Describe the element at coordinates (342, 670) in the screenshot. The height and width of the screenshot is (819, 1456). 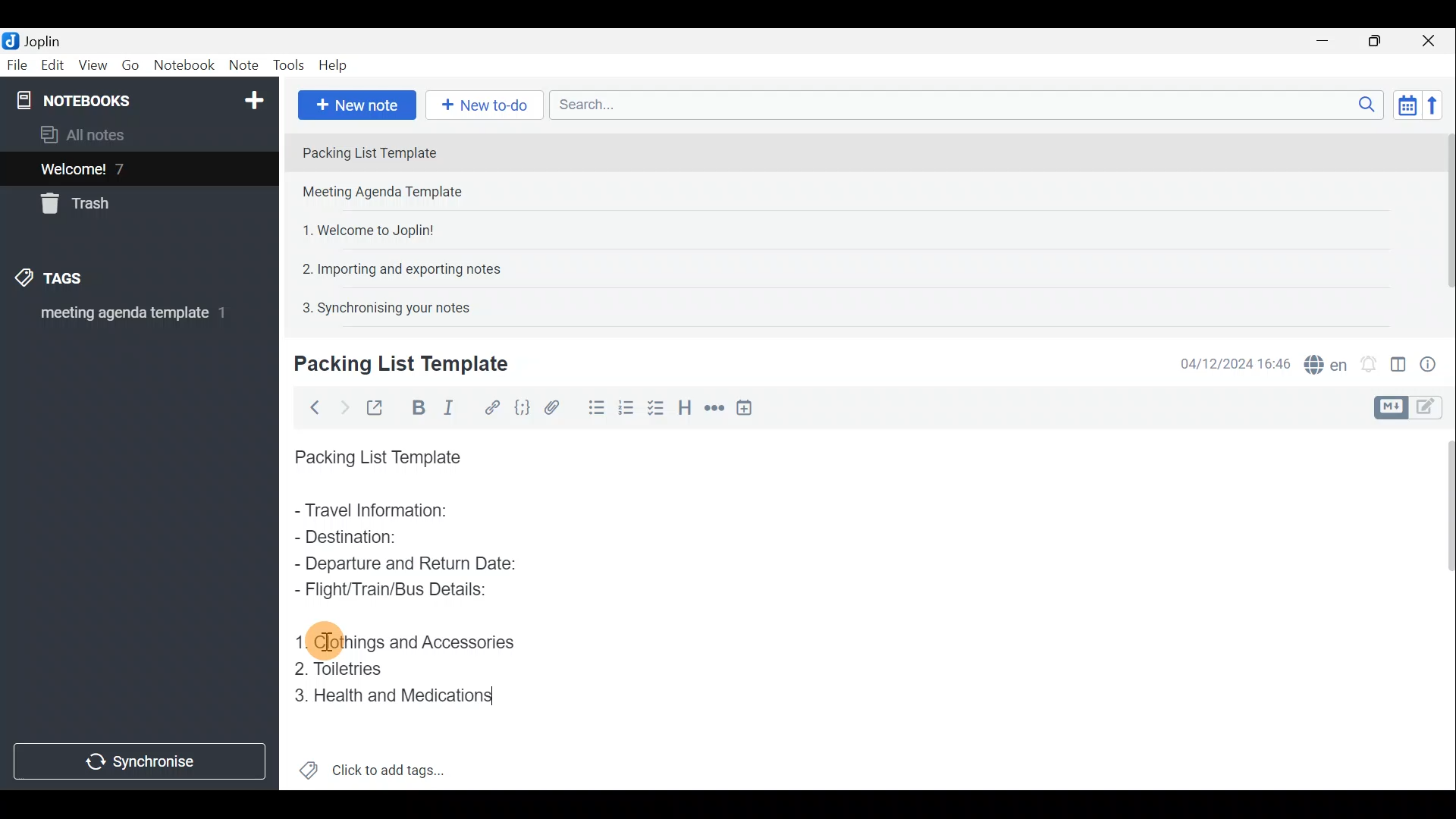
I see `Toiletries` at that location.